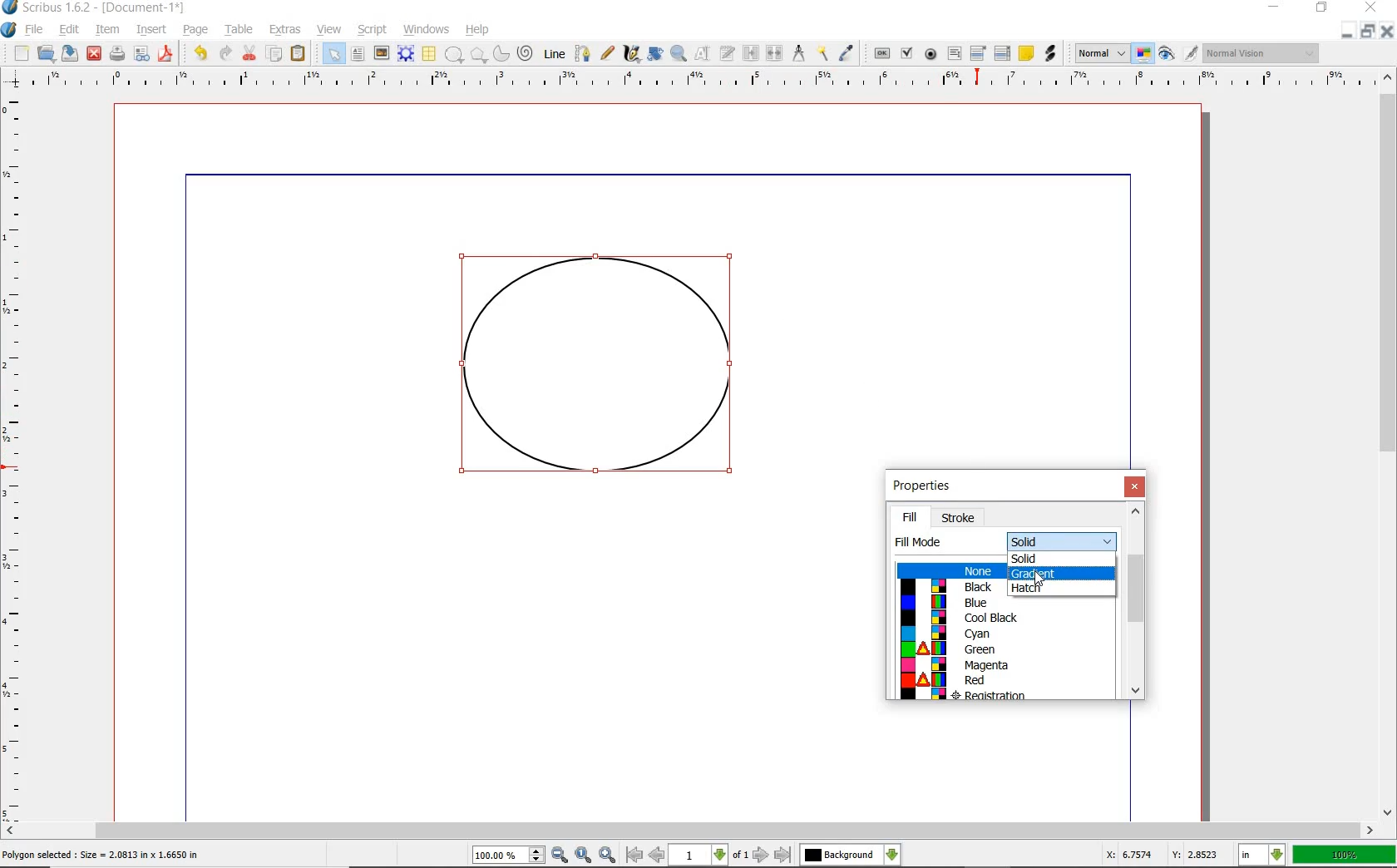 This screenshot has width=1397, height=868. What do you see at coordinates (654, 52) in the screenshot?
I see `ROTATE ITEM` at bounding box center [654, 52].